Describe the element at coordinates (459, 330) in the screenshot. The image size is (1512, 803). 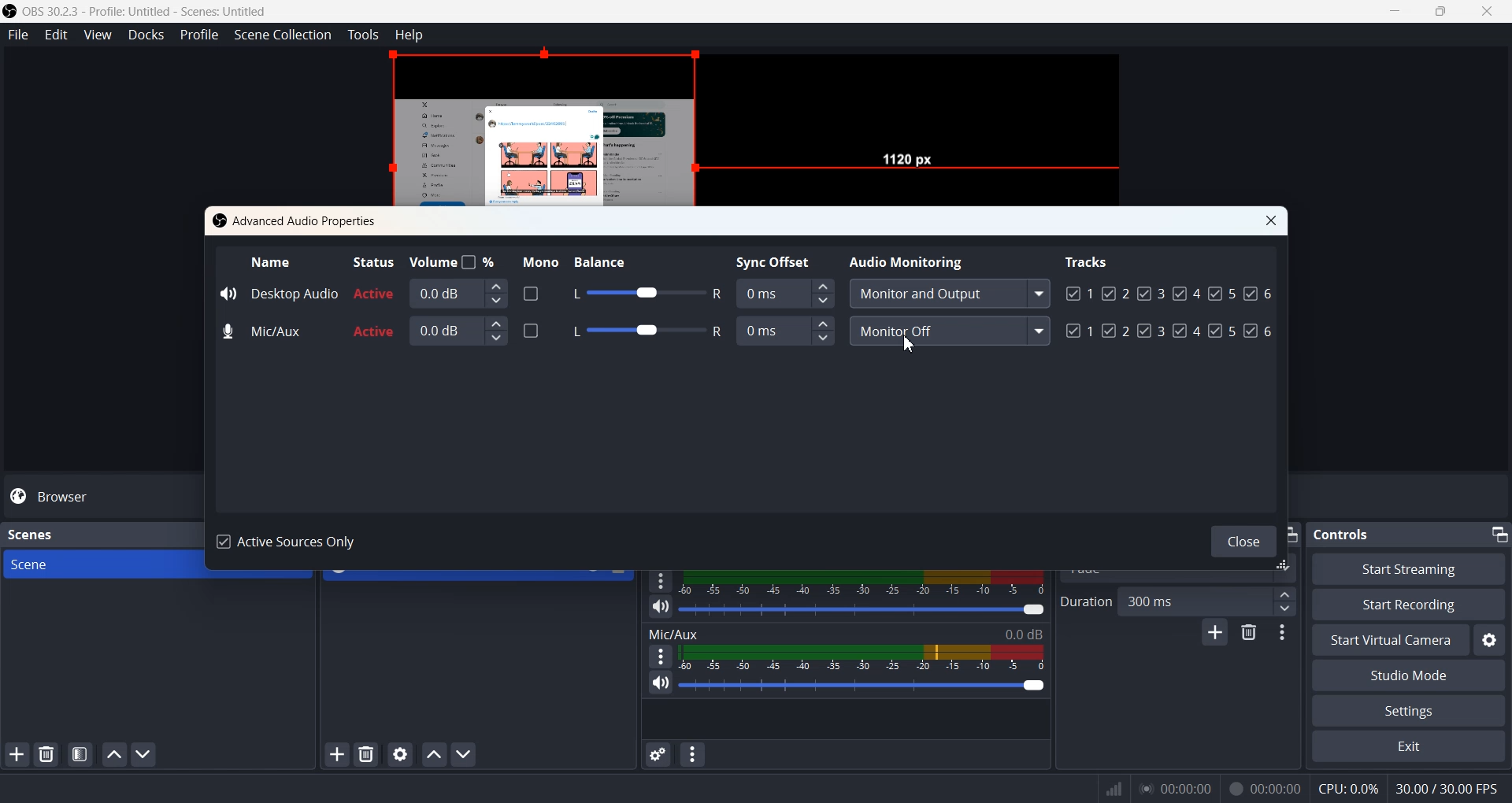
I see `0.0 dB` at that location.